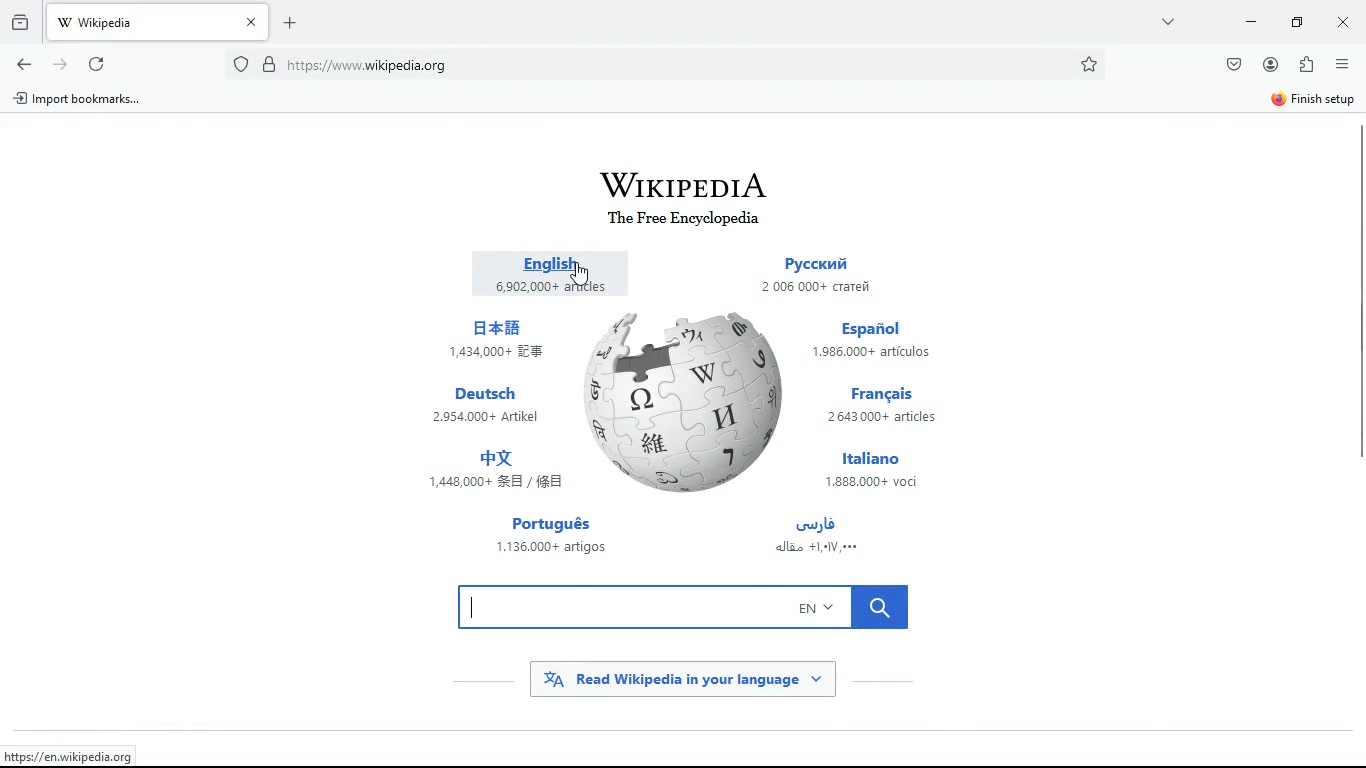 This screenshot has width=1366, height=768. What do you see at coordinates (1308, 98) in the screenshot?
I see `finish setup` at bounding box center [1308, 98].